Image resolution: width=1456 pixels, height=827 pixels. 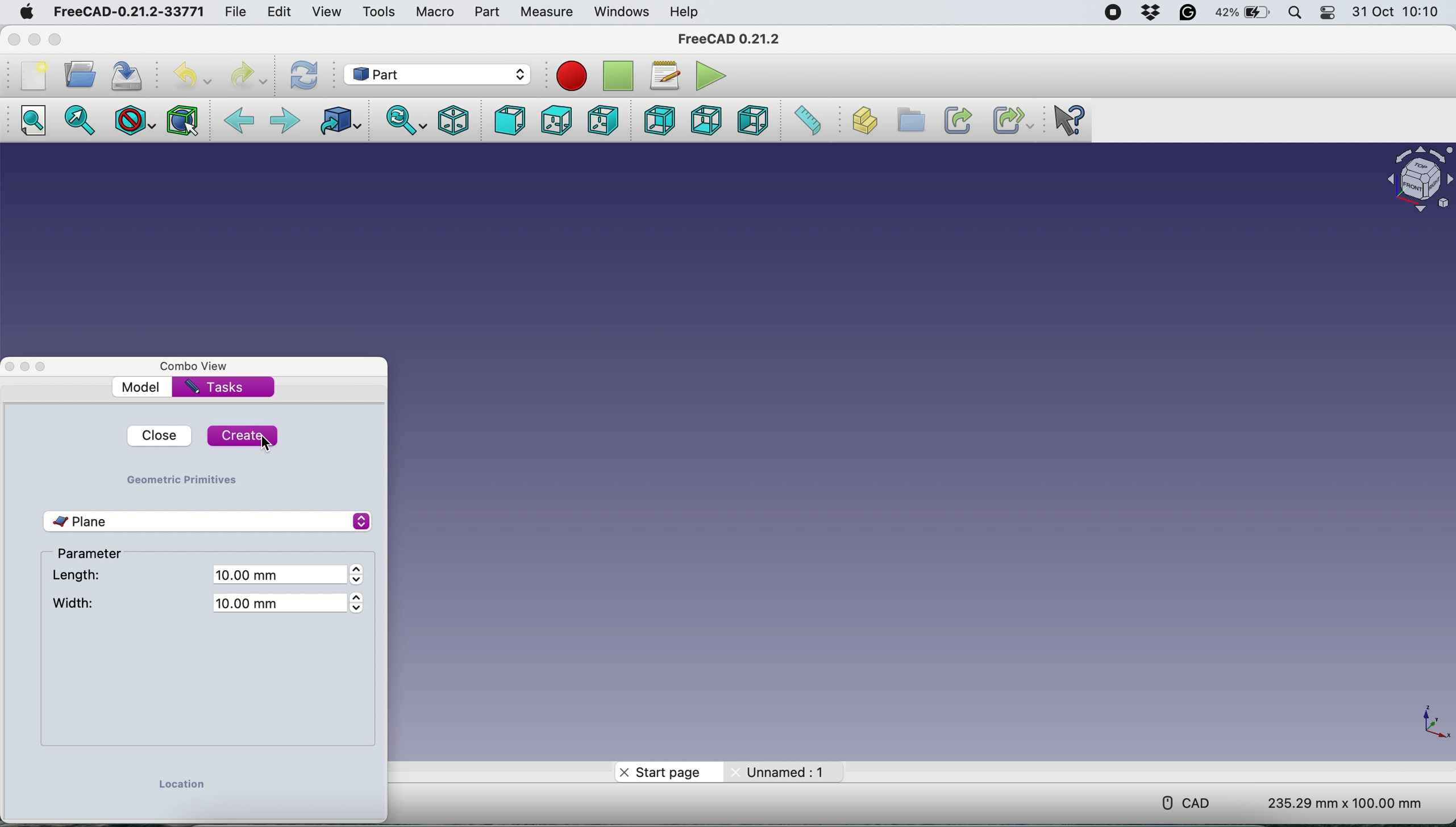 What do you see at coordinates (908, 120) in the screenshot?
I see `Create group` at bounding box center [908, 120].